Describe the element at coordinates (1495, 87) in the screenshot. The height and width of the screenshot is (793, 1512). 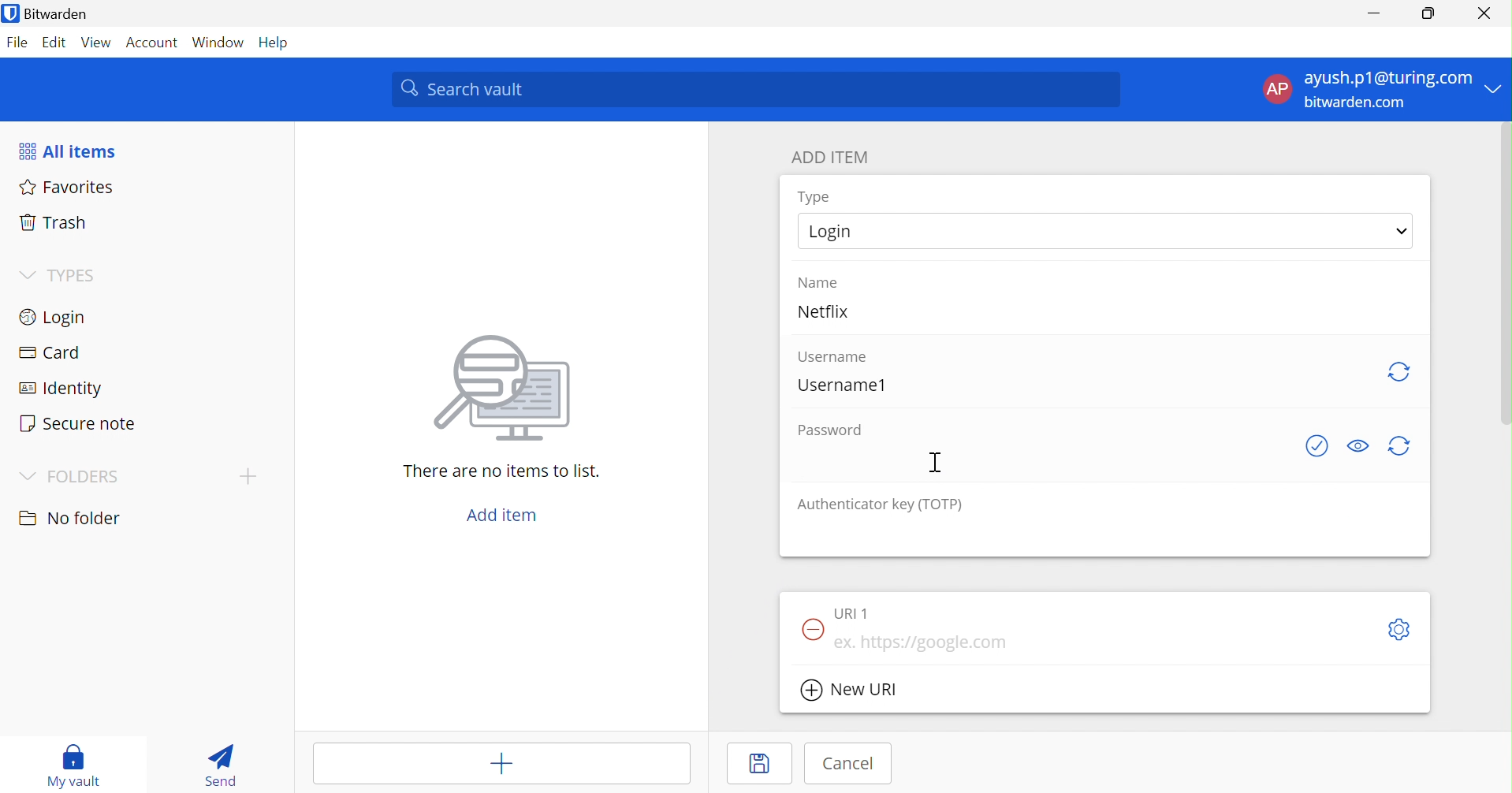
I see `Drop down` at that location.